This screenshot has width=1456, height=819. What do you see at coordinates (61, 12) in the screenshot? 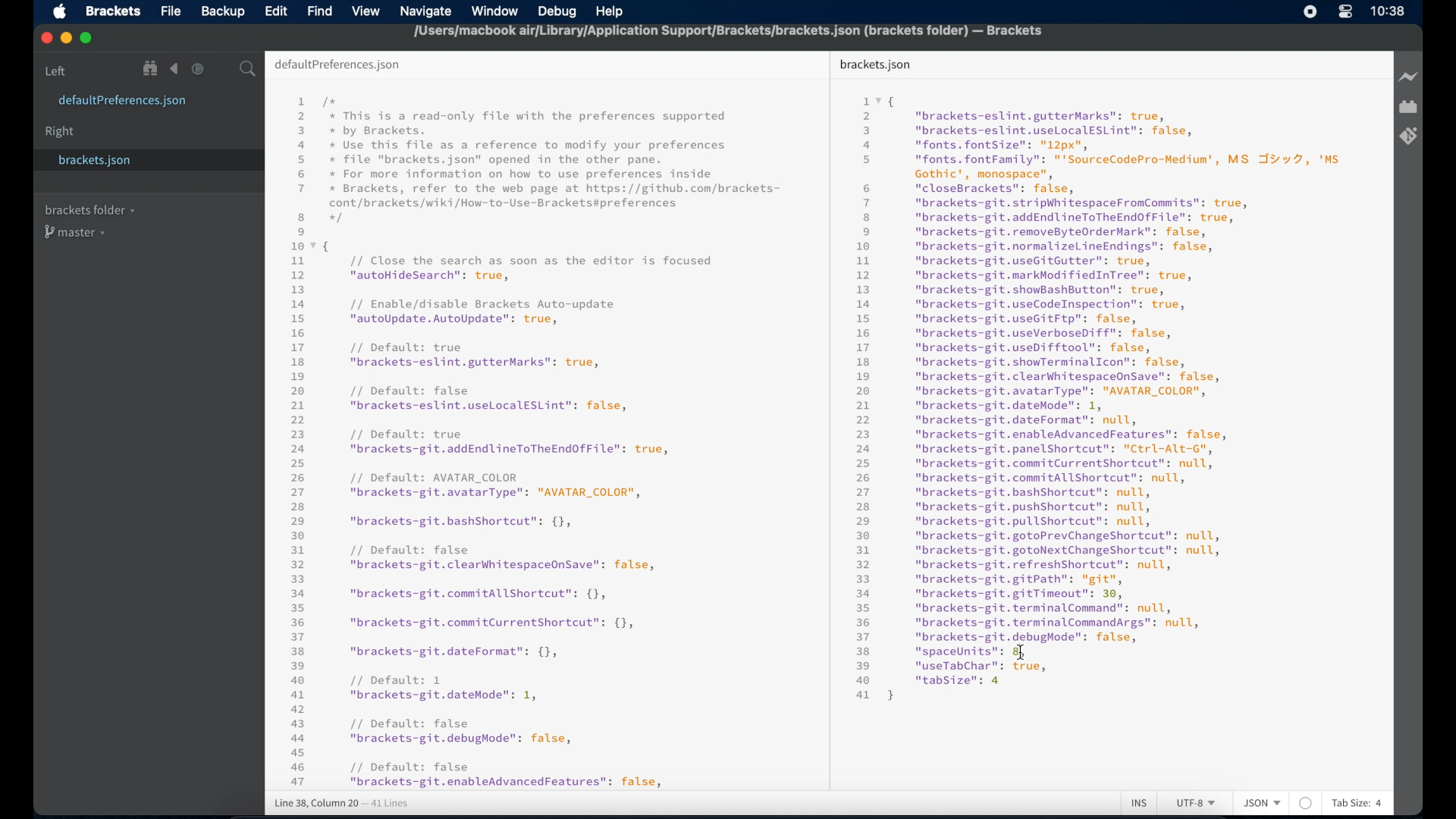
I see `apple icon` at bounding box center [61, 12].